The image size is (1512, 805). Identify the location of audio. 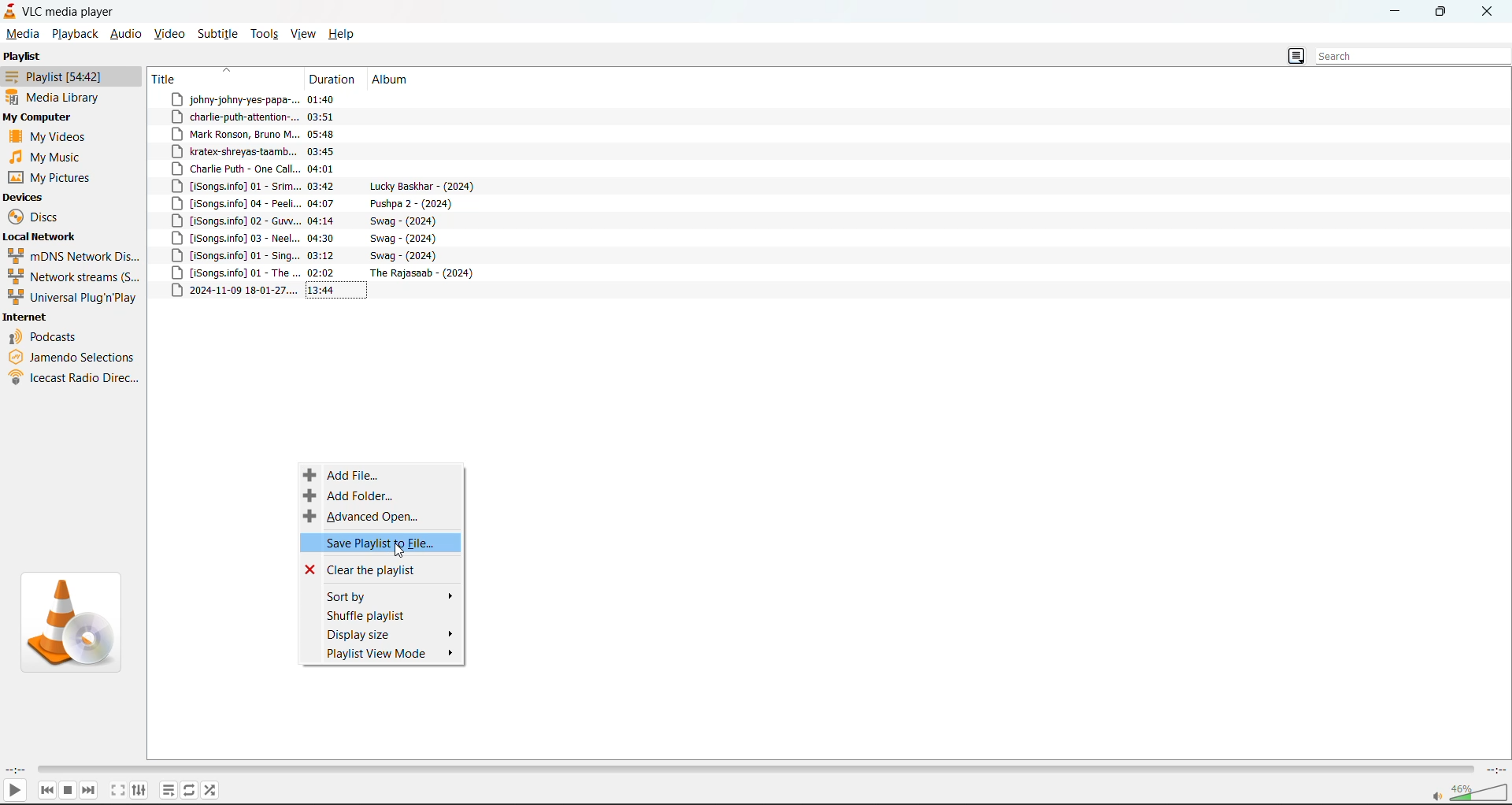
(126, 33).